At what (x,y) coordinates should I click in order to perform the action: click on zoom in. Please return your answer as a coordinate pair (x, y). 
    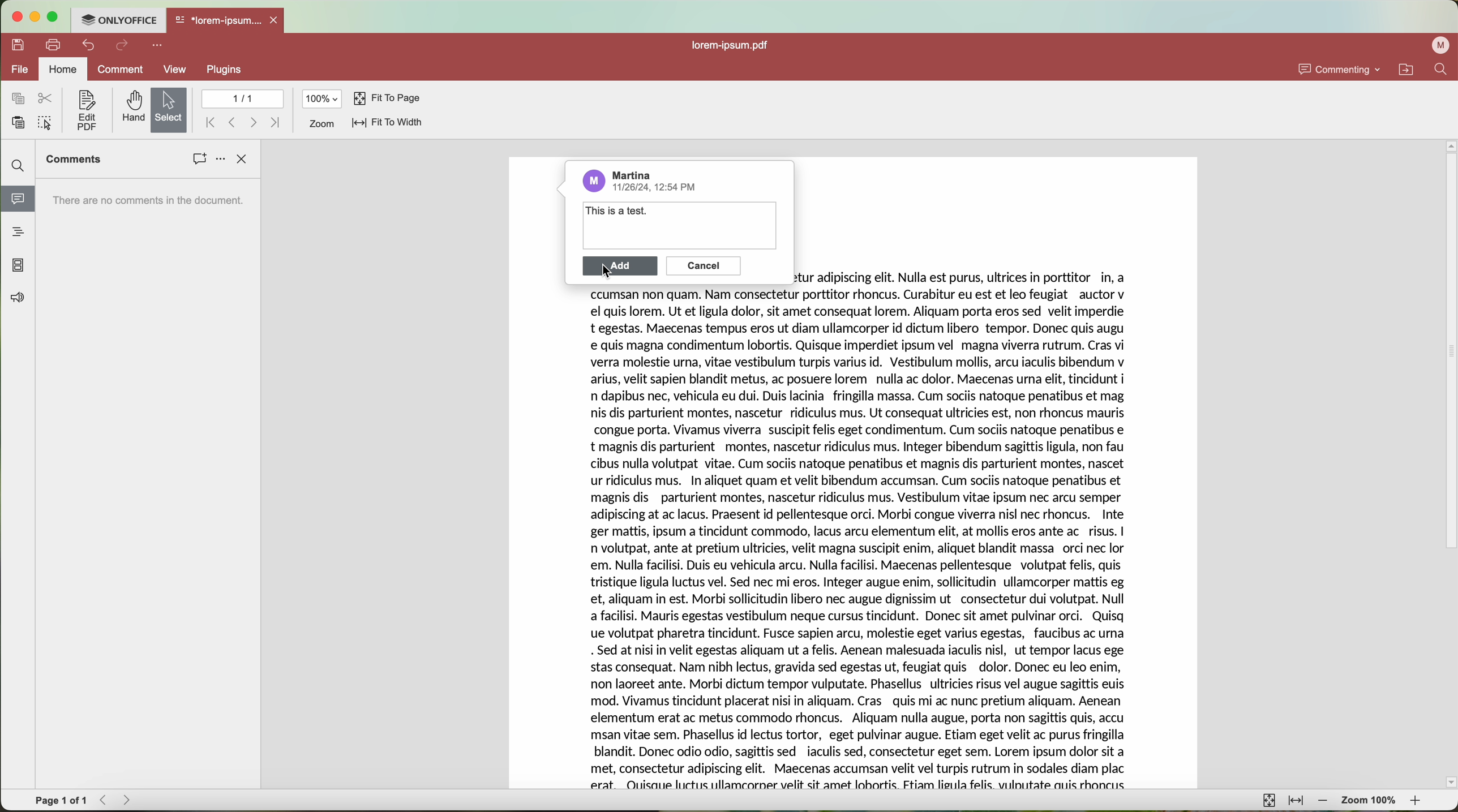
    Looking at the image, I should click on (1419, 802).